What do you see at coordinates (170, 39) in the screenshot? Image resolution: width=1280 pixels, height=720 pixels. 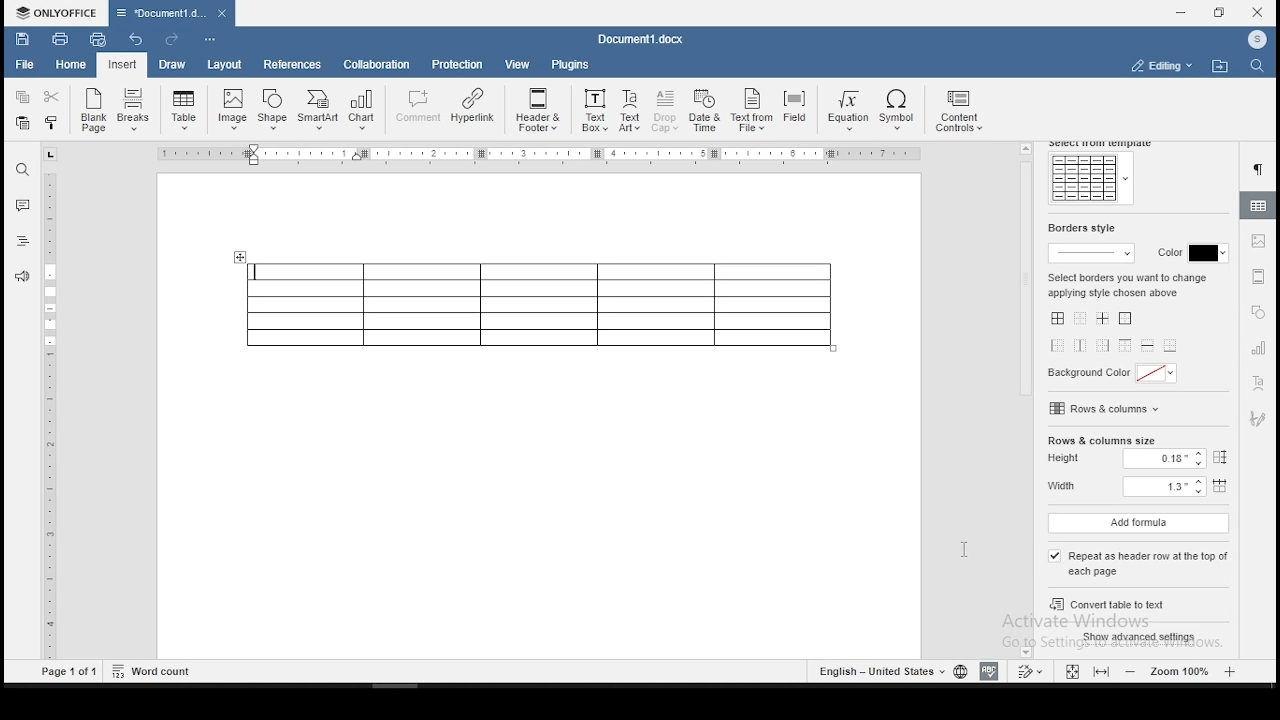 I see `redo` at bounding box center [170, 39].